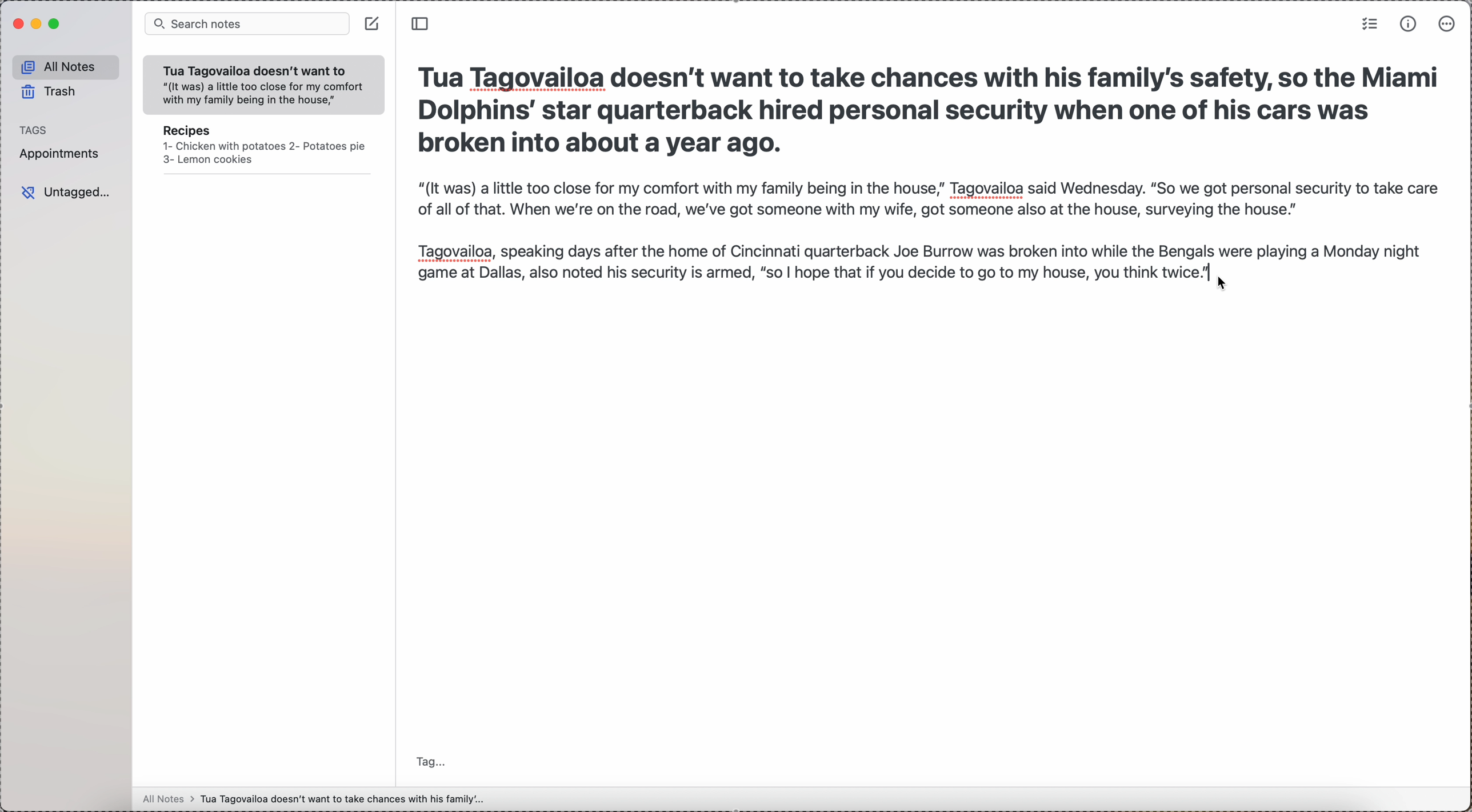  What do you see at coordinates (50, 92) in the screenshot?
I see `trash` at bounding box center [50, 92].